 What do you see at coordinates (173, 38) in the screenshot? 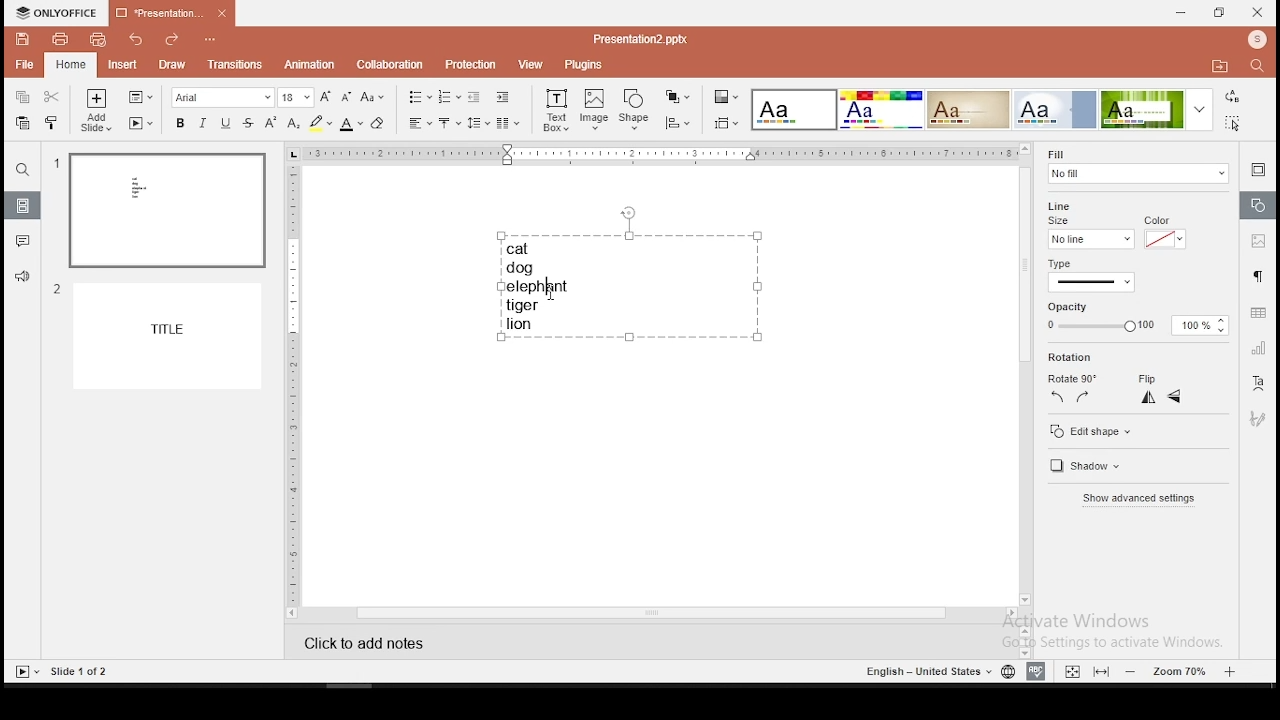
I see `redo` at bounding box center [173, 38].